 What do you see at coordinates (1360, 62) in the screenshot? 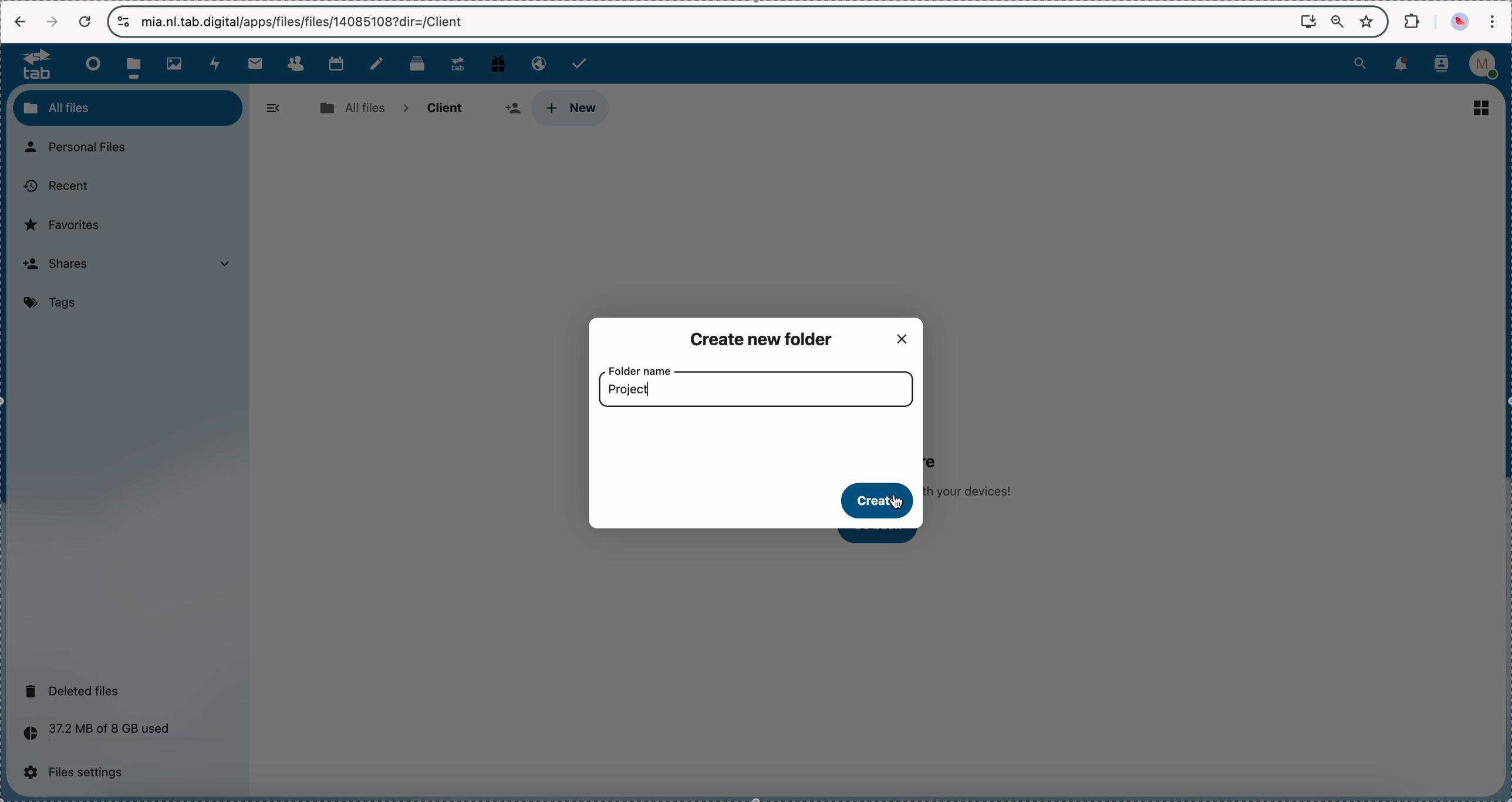
I see `search` at bounding box center [1360, 62].